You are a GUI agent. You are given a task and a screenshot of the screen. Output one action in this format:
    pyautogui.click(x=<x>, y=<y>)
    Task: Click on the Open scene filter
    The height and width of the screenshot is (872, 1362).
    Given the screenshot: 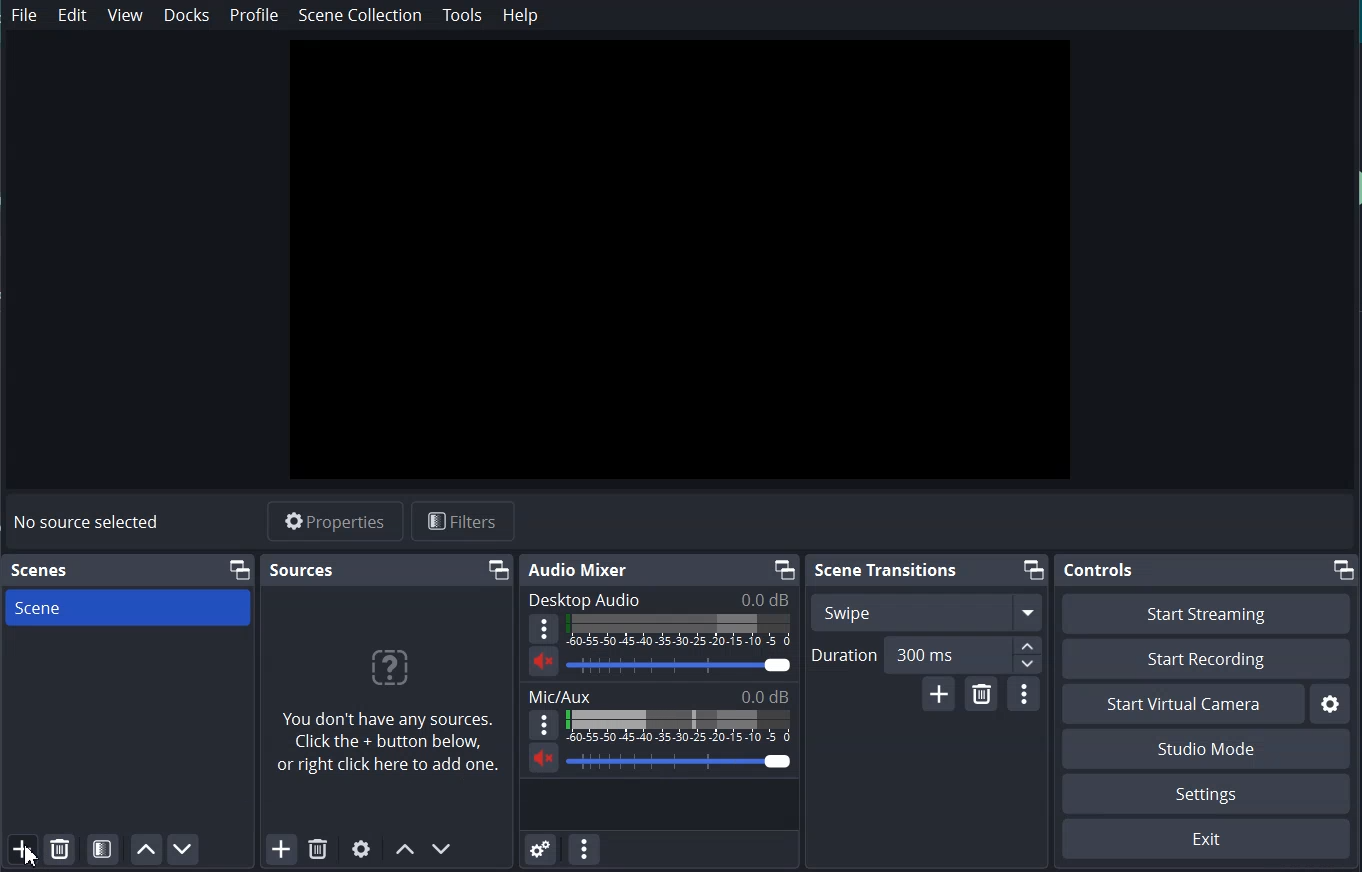 What is the action you would take?
    pyautogui.click(x=102, y=848)
    